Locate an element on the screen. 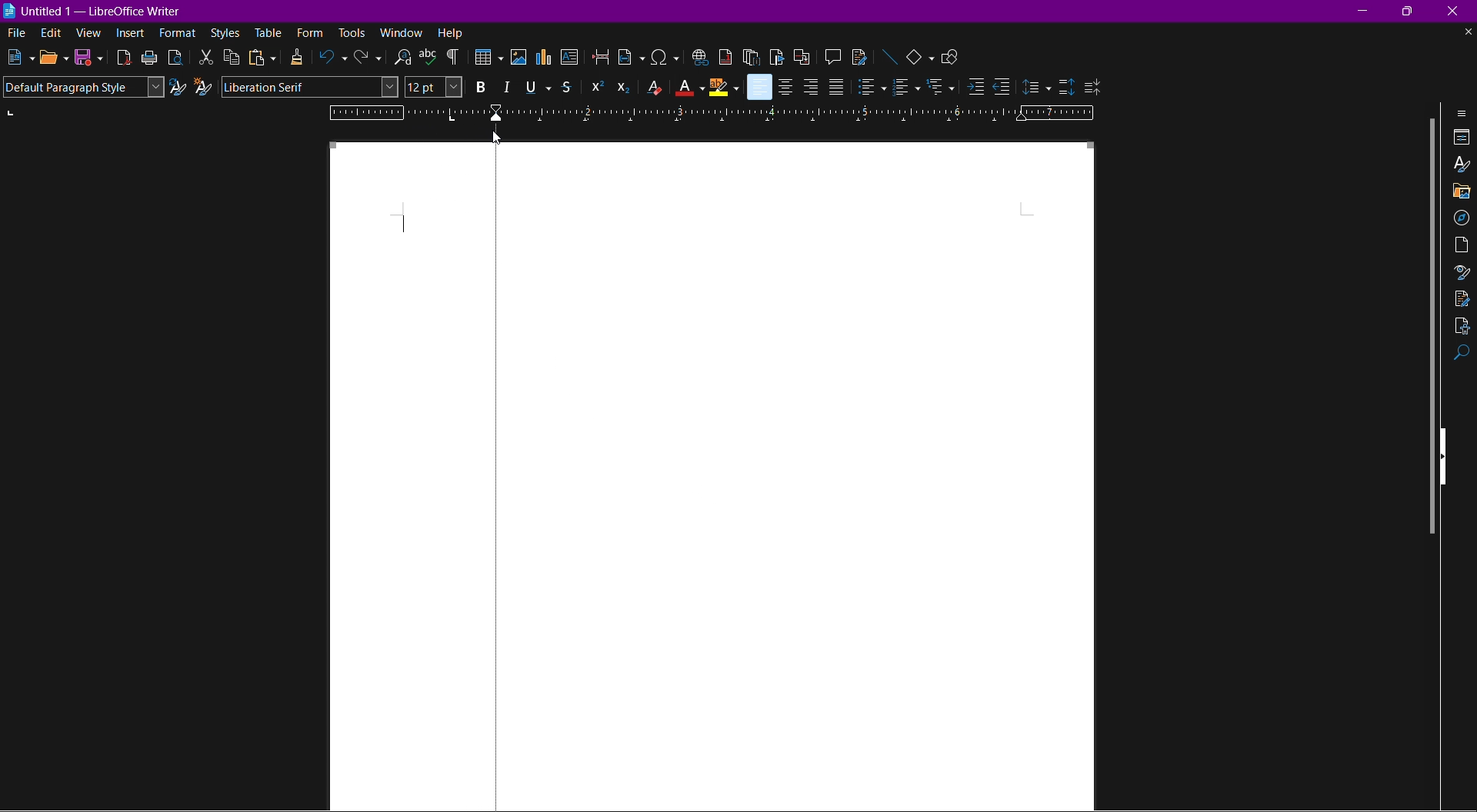 This screenshot has width=1477, height=812. Select Outline Format is located at coordinates (940, 88).